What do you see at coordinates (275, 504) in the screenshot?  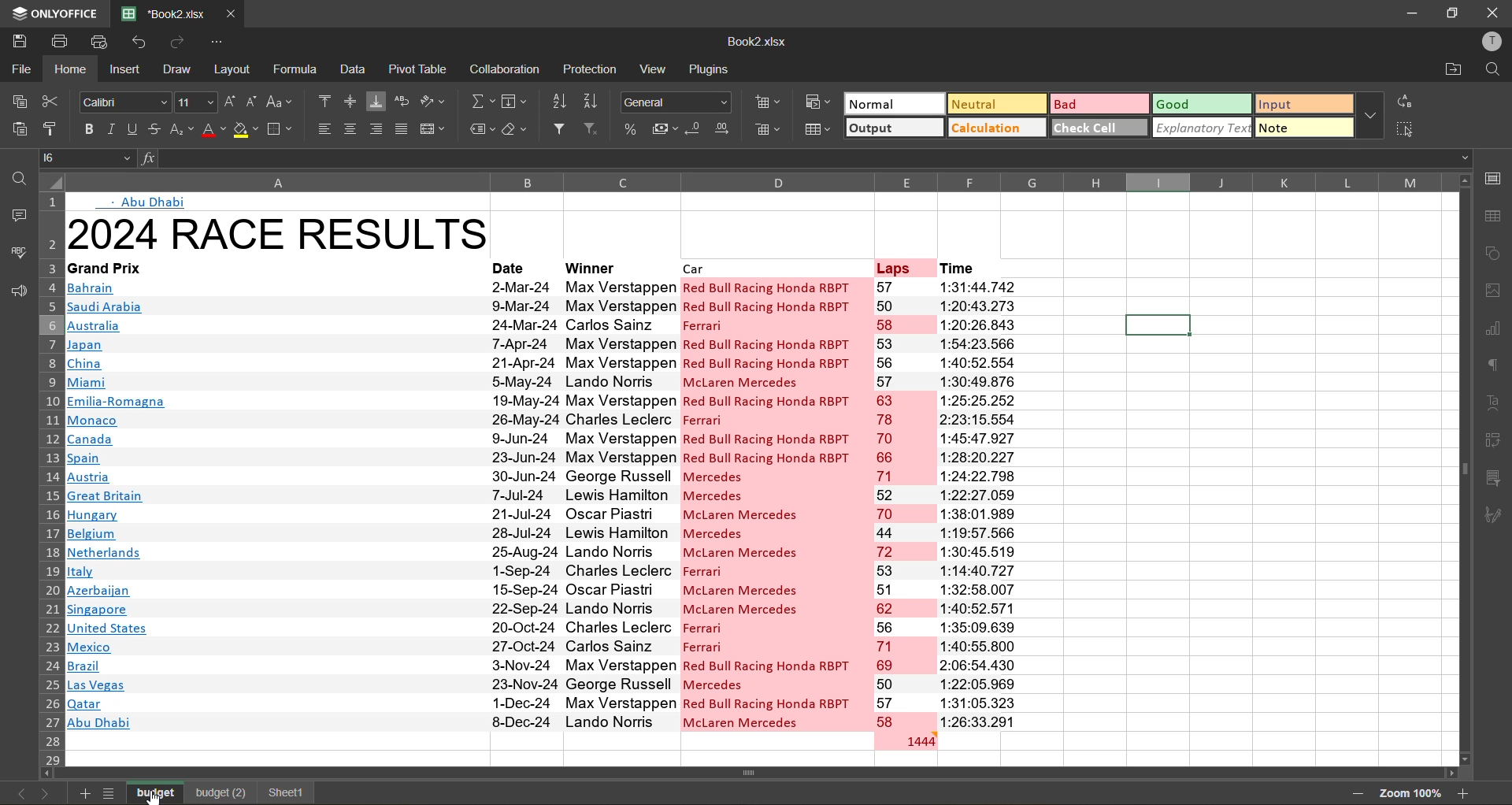 I see `gran prix` at bounding box center [275, 504].